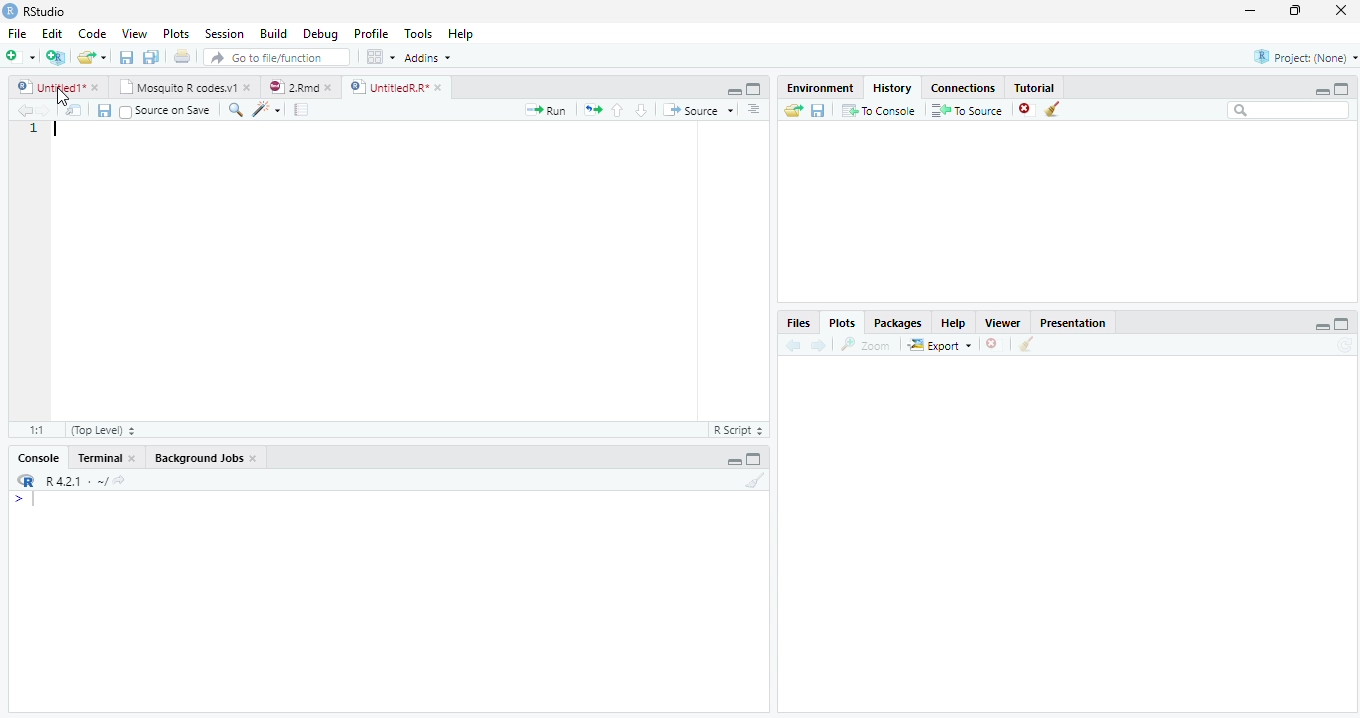 The width and height of the screenshot is (1360, 718). I want to click on Clear Console, so click(753, 482).